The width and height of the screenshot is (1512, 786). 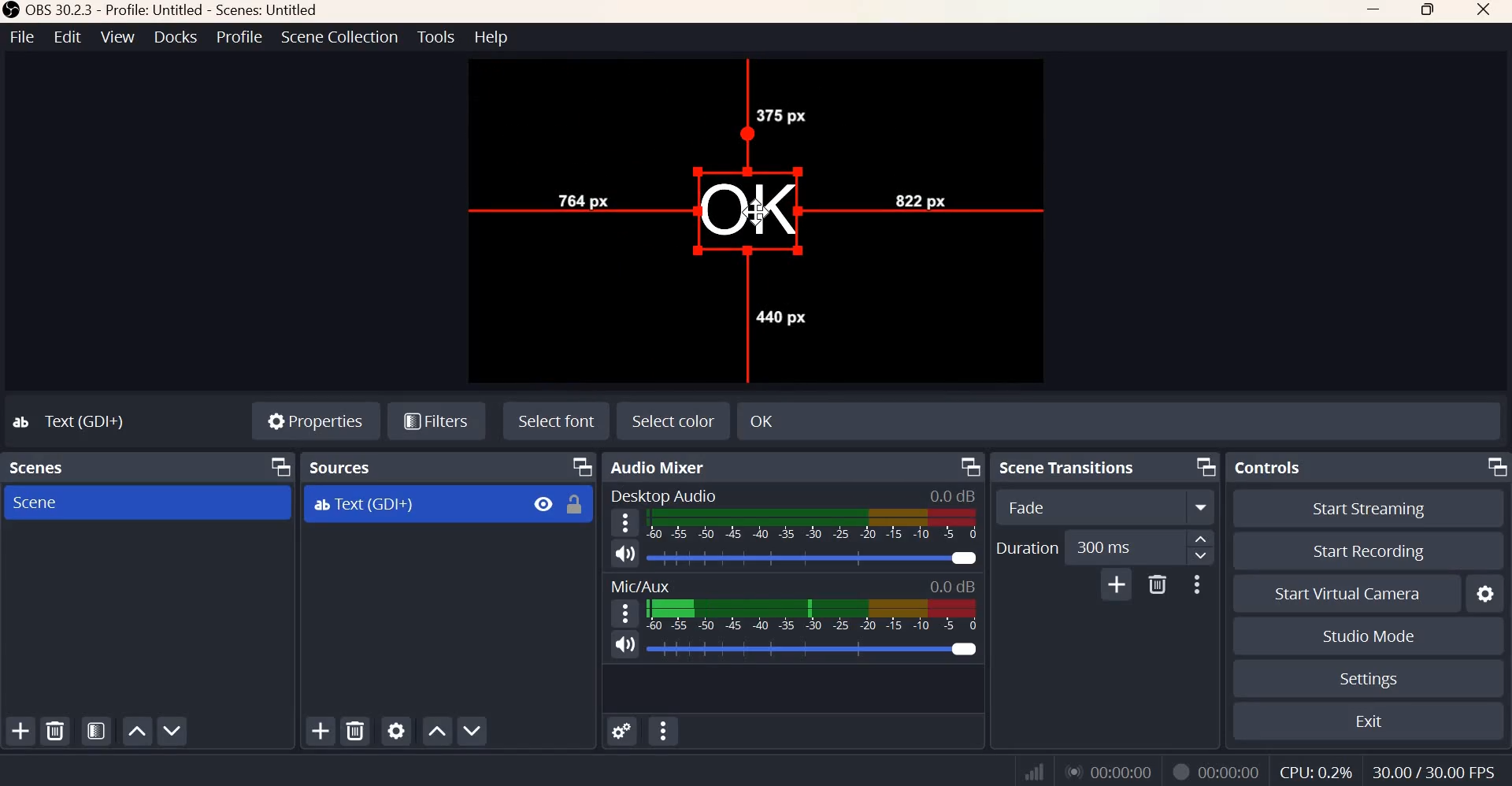 I want to click on Lock Toggle, so click(x=574, y=504).